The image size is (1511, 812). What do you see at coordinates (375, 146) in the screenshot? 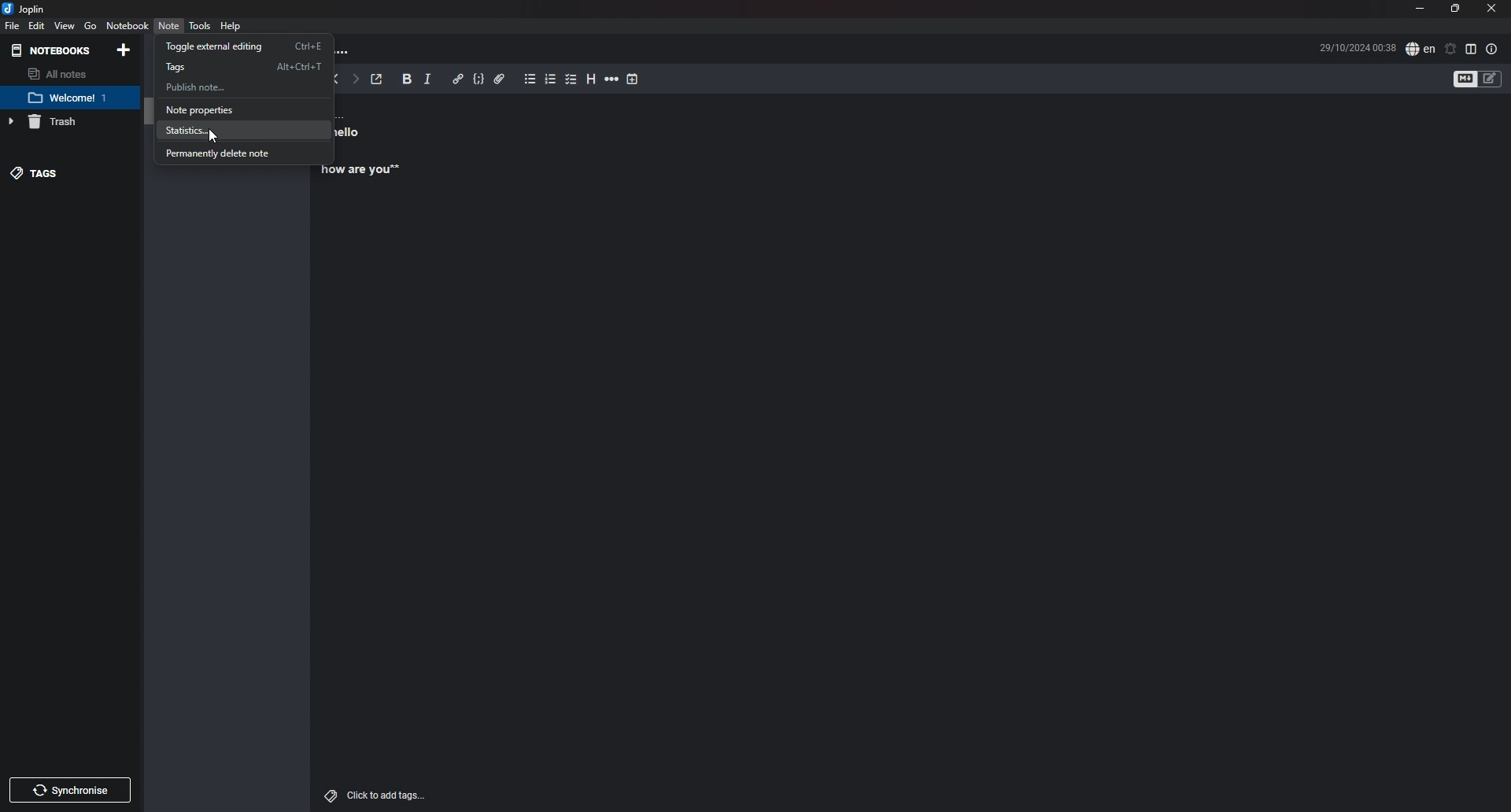
I see `note` at bounding box center [375, 146].